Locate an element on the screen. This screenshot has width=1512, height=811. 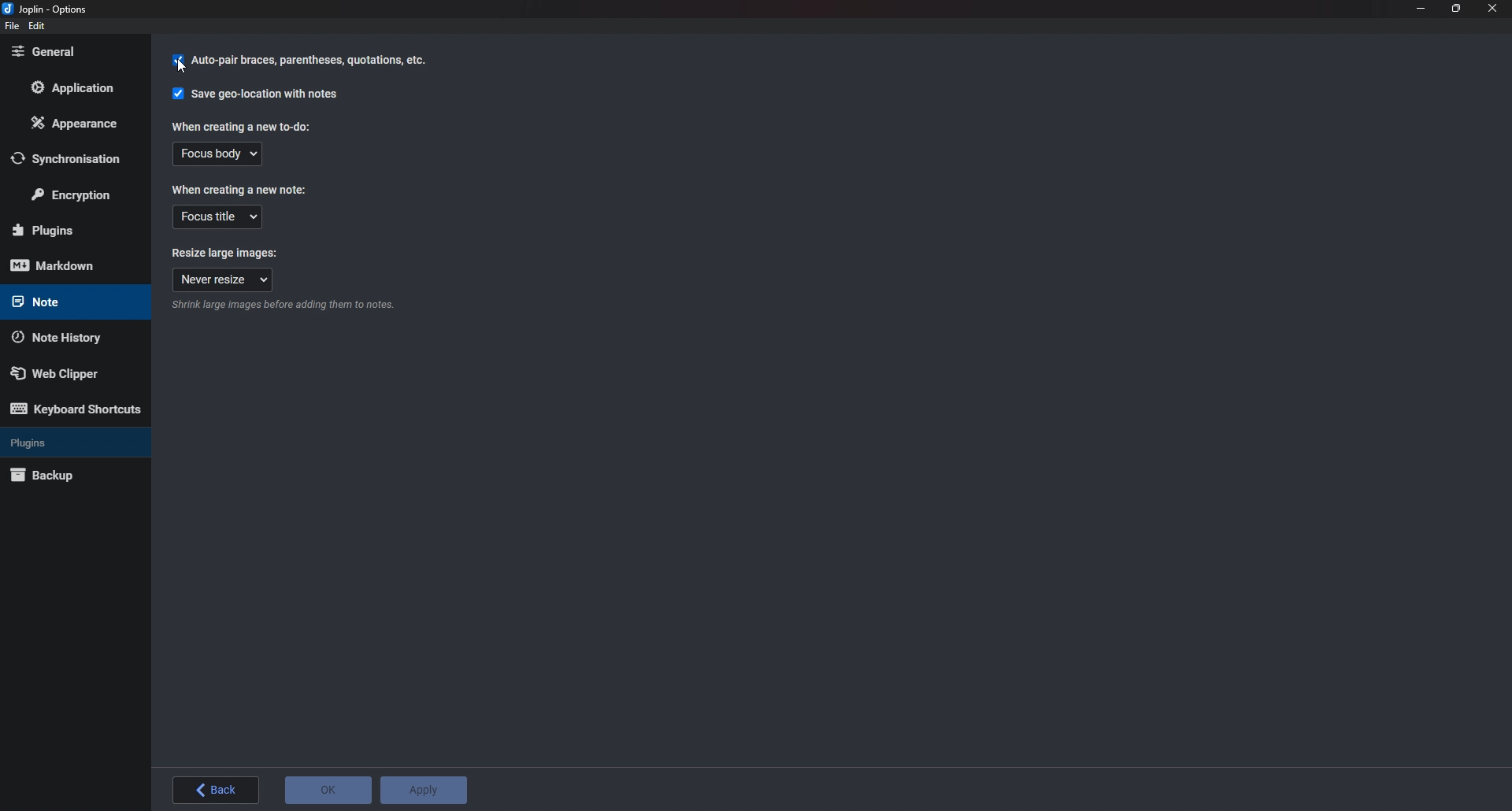
Plugins is located at coordinates (71, 444).